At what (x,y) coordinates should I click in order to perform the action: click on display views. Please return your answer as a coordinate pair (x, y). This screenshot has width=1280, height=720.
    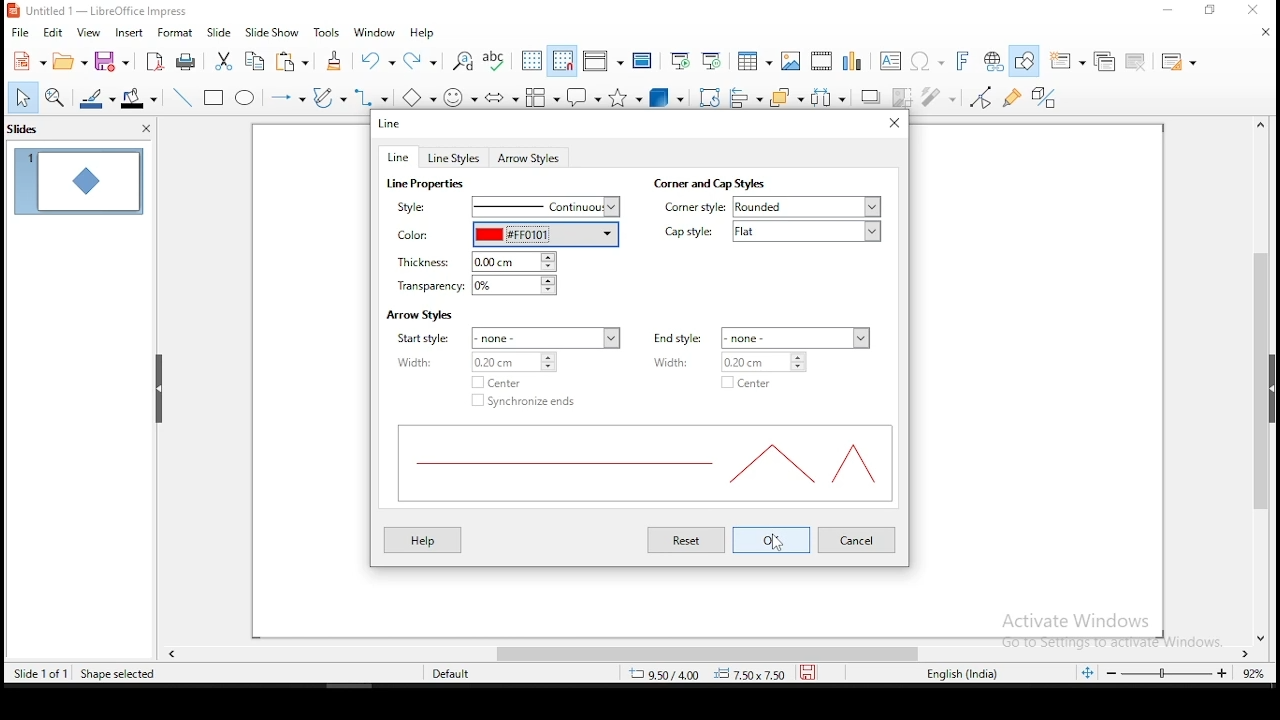
    Looking at the image, I should click on (602, 60).